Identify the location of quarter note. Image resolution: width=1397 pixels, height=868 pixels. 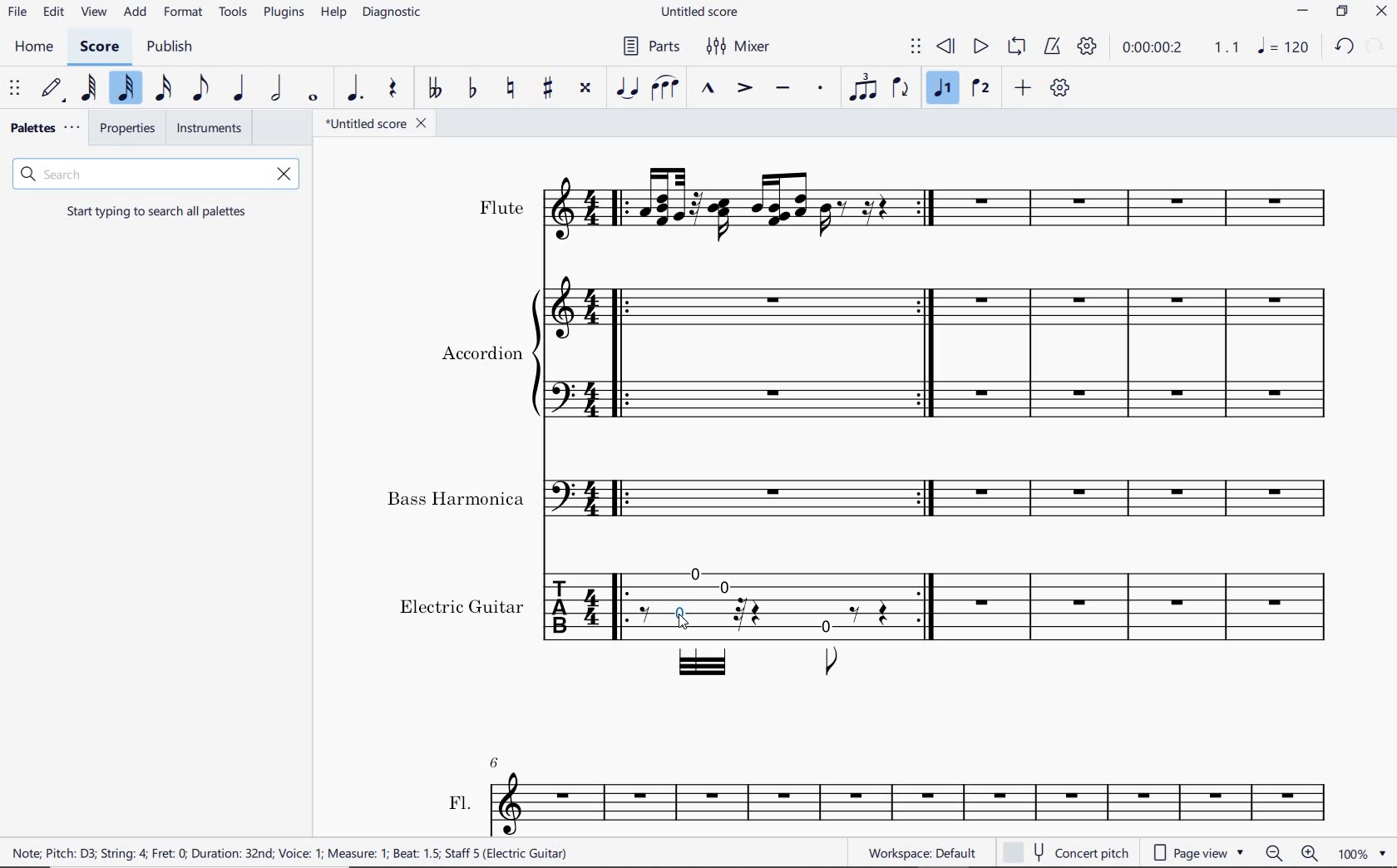
(239, 89).